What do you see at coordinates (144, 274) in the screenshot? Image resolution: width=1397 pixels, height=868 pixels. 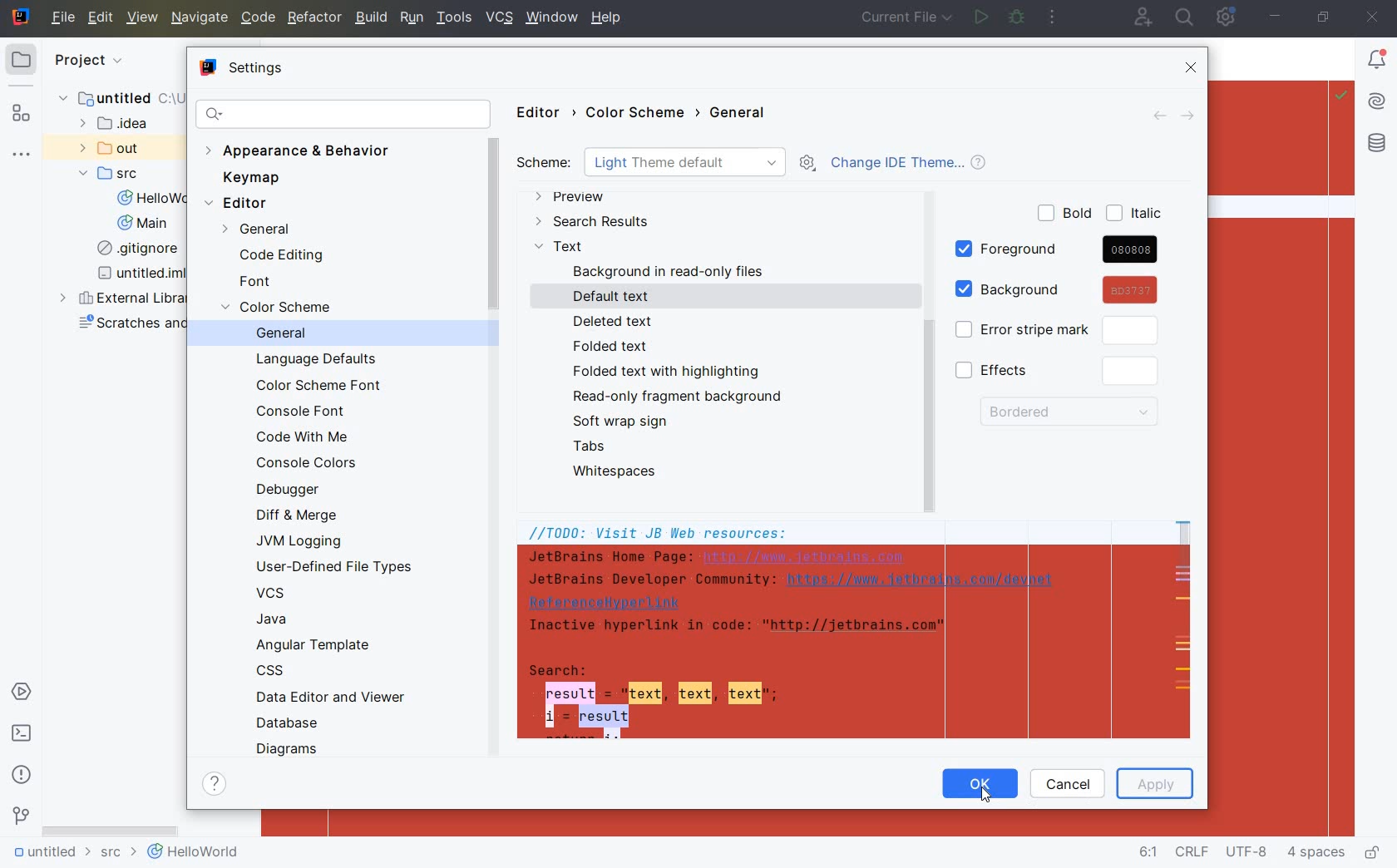 I see `untitled` at bounding box center [144, 274].